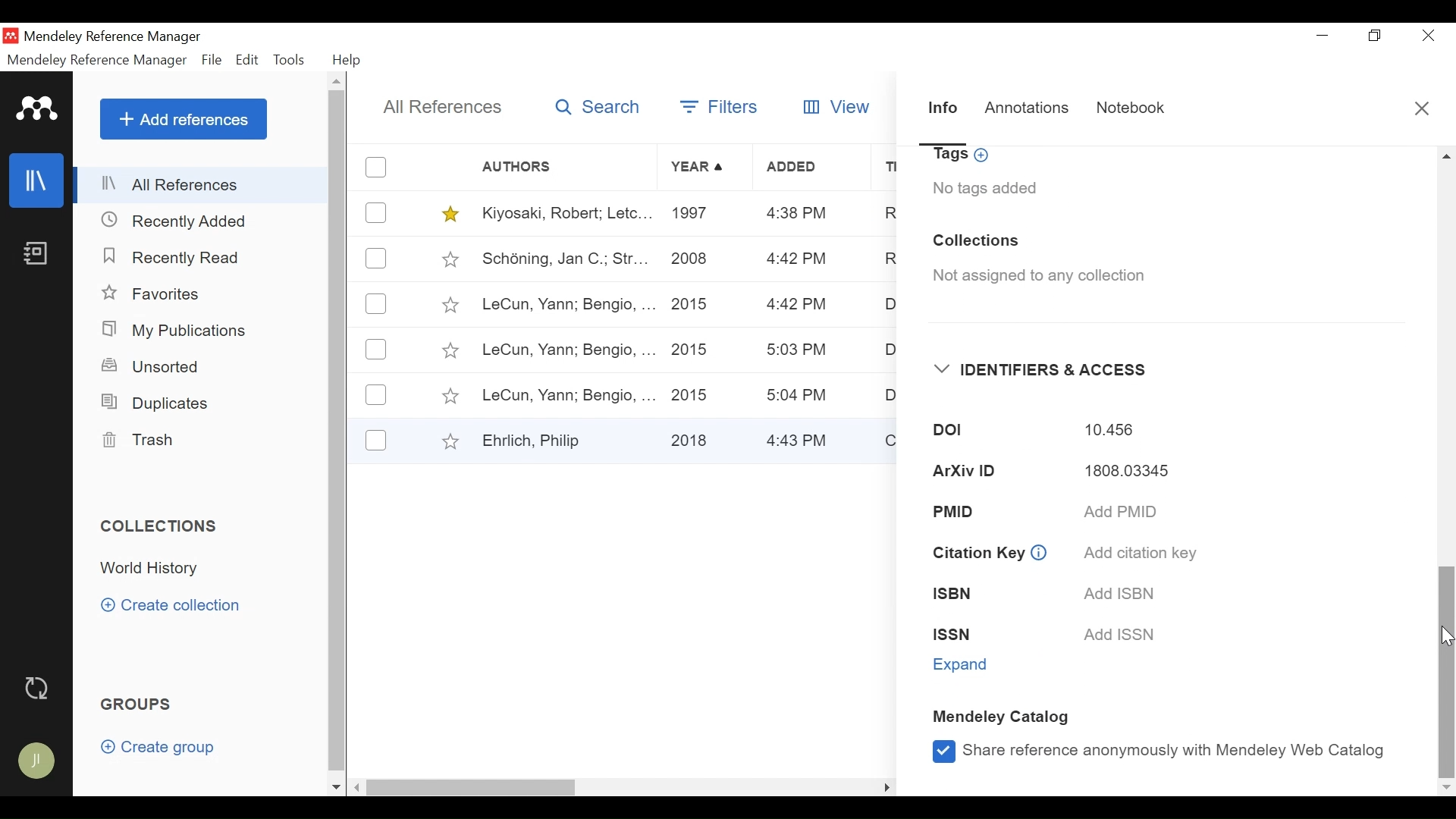 This screenshot has width=1456, height=819. What do you see at coordinates (378, 167) in the screenshot?
I see `(un)select` at bounding box center [378, 167].